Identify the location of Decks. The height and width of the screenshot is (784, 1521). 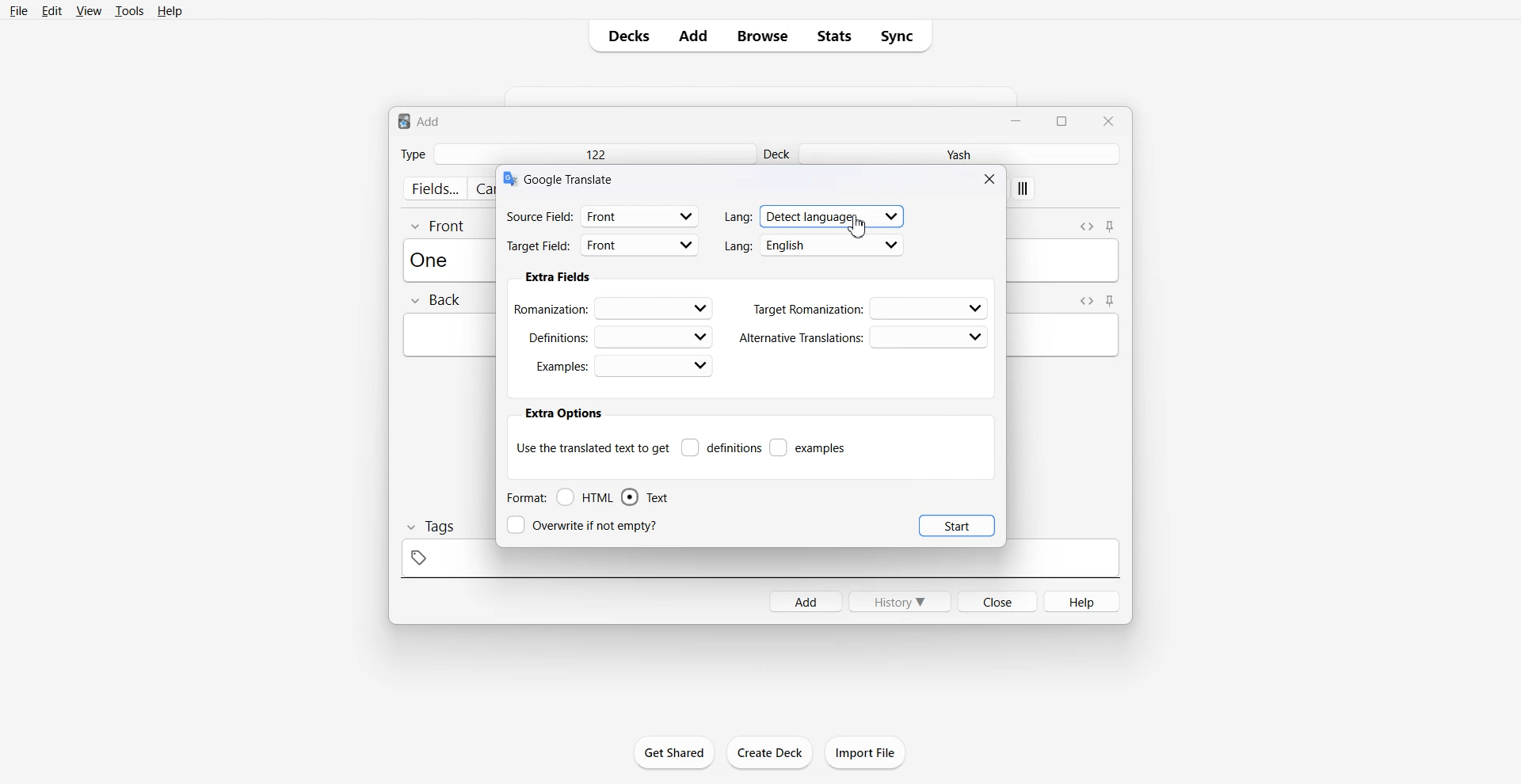
(623, 36).